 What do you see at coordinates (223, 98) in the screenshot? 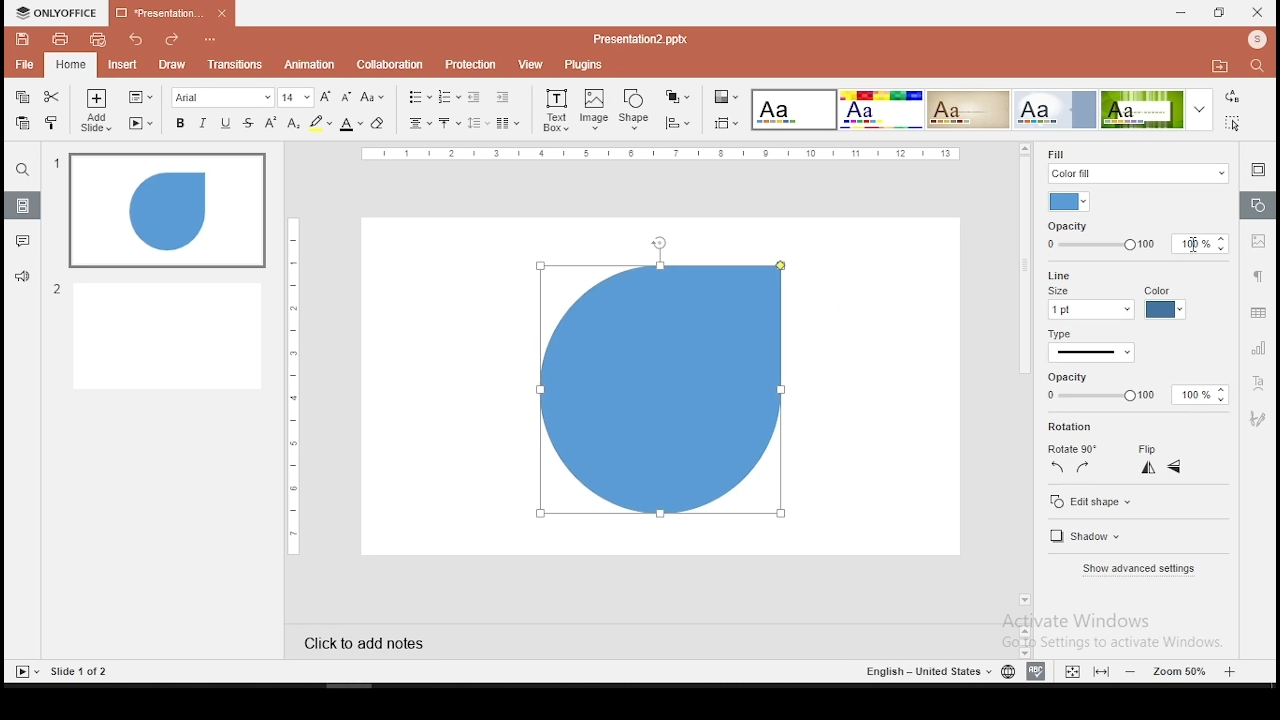
I see `font` at bounding box center [223, 98].